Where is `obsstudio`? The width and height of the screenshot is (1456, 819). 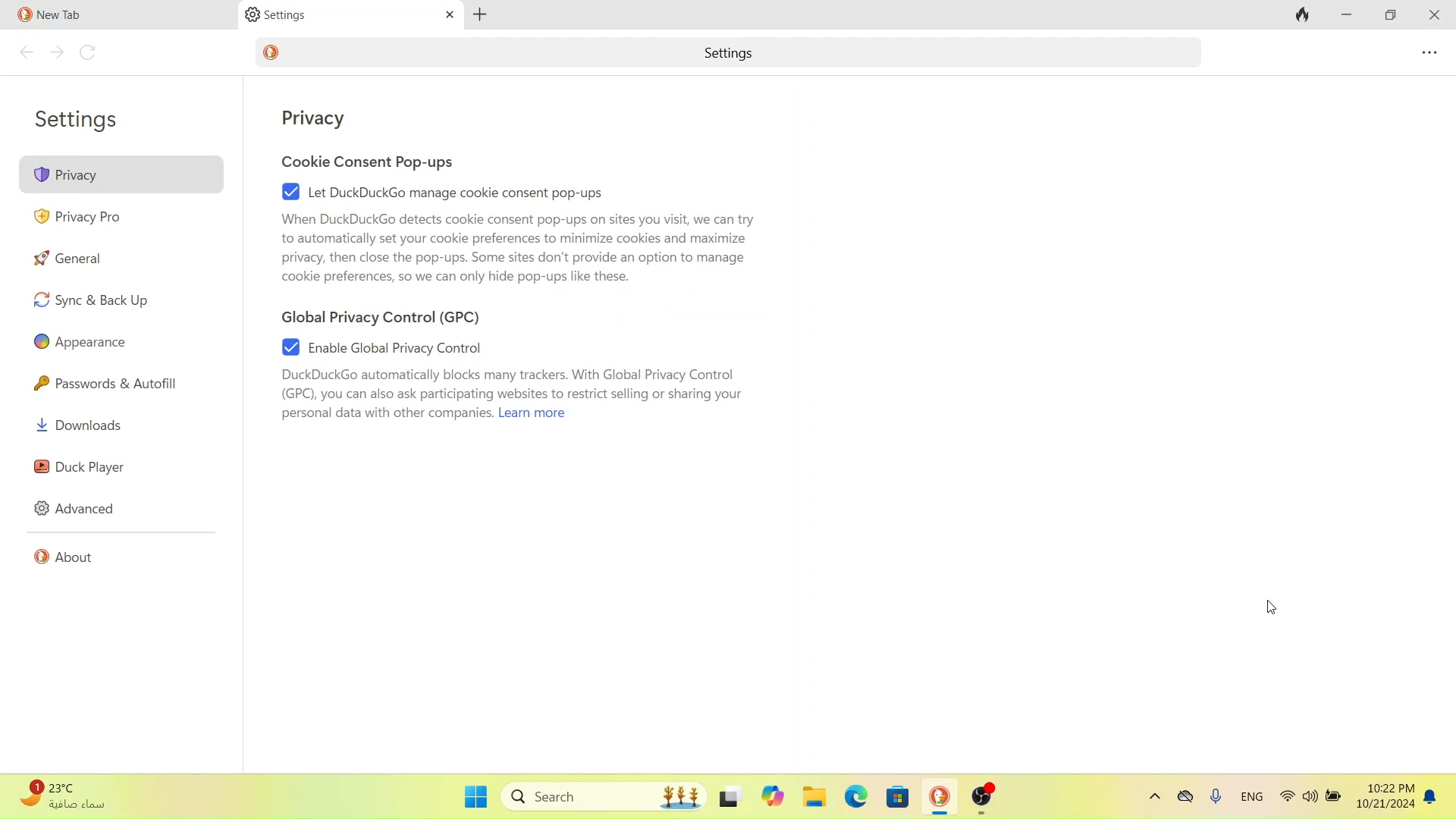
obsstudio is located at coordinates (984, 799).